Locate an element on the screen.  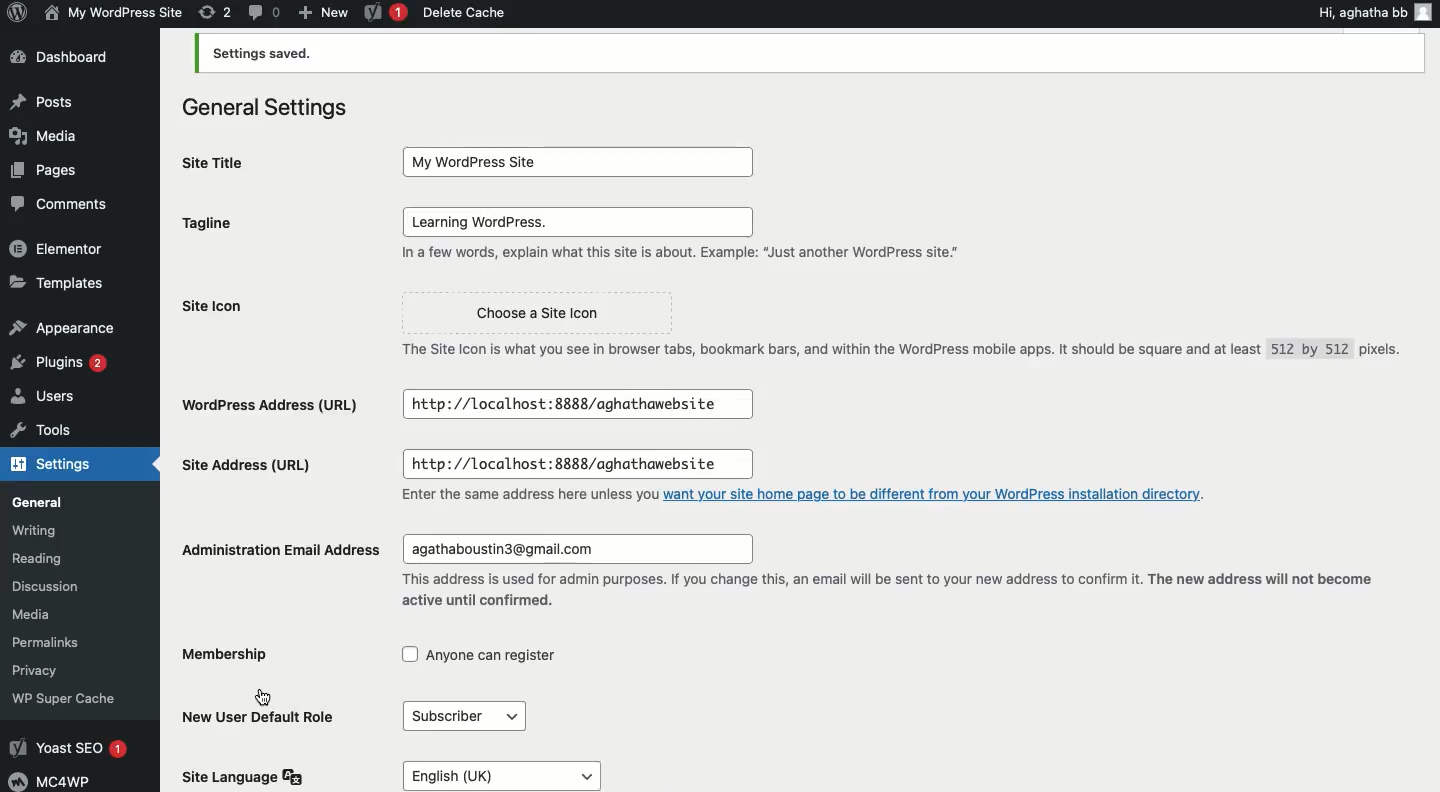
Choose a Site Icon is located at coordinates (515, 307).